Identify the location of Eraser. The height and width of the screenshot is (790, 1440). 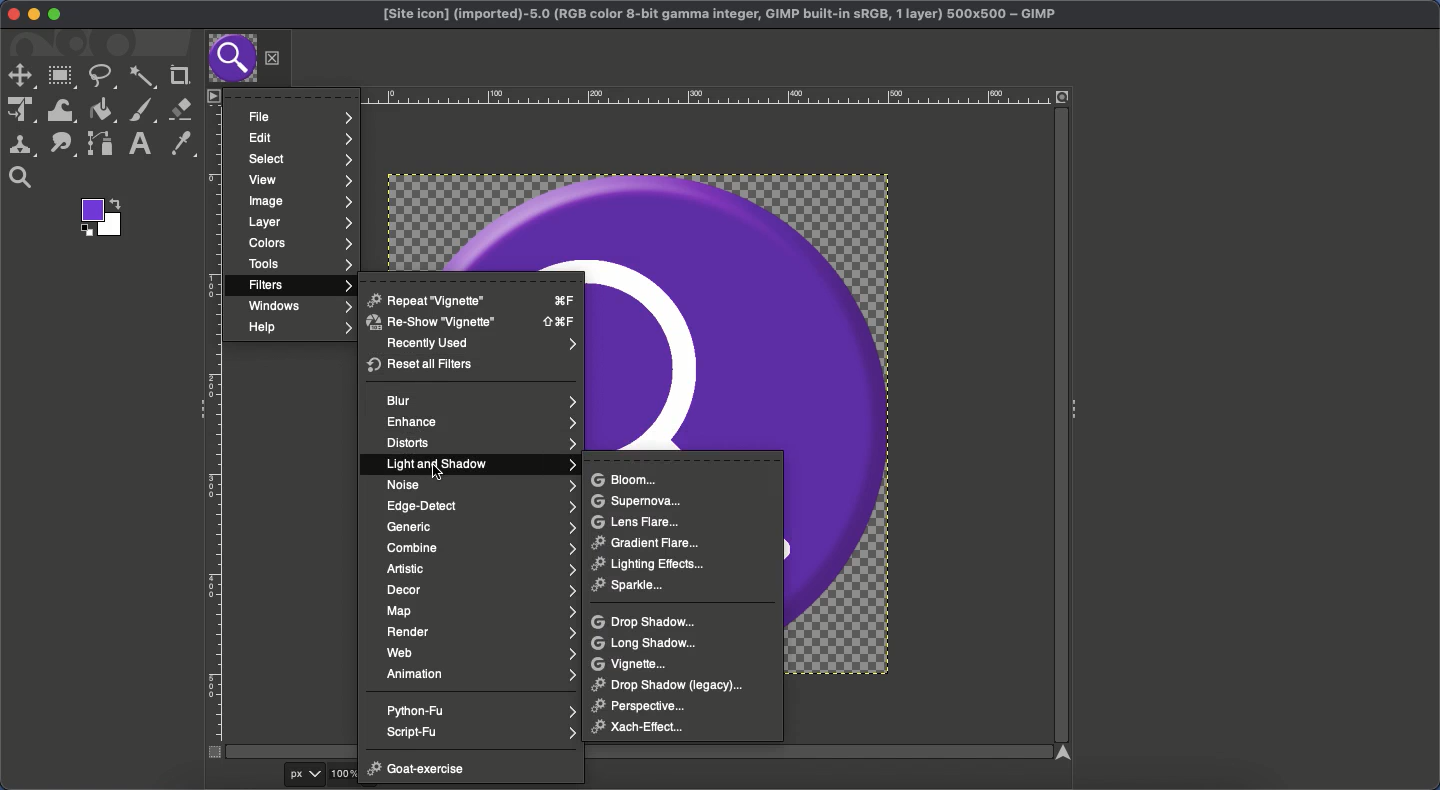
(181, 110).